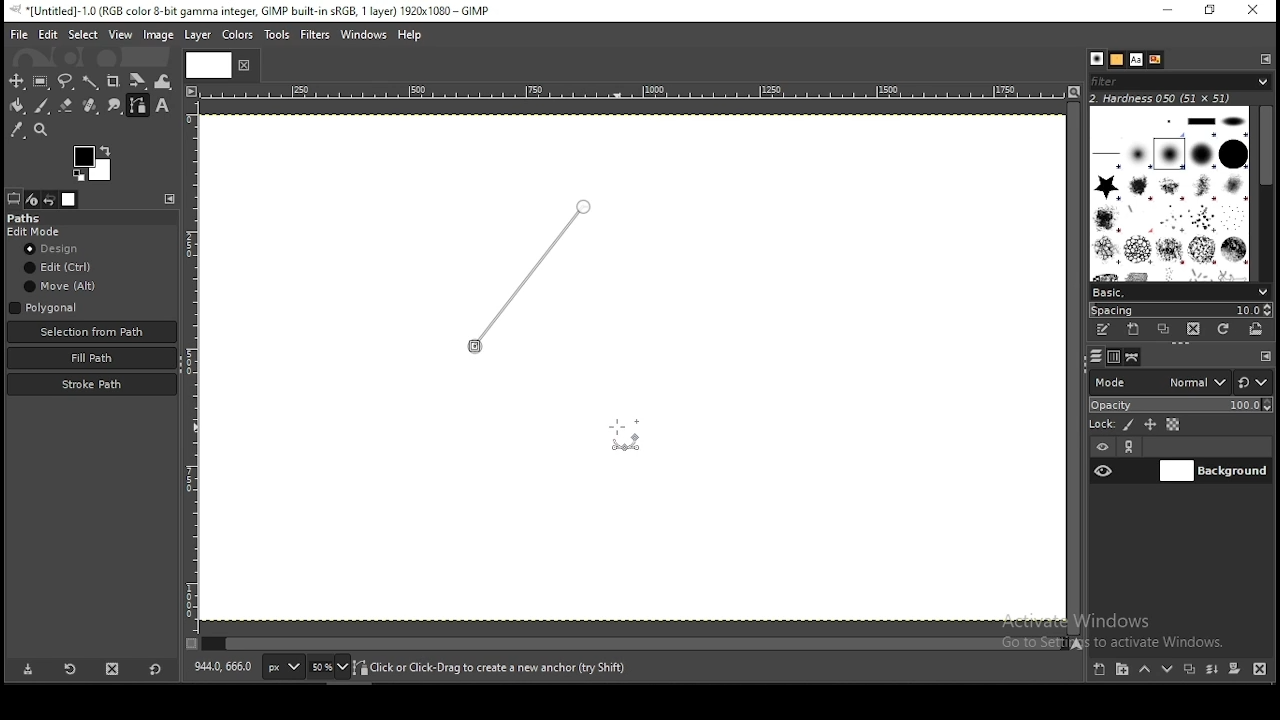 The image size is (1280, 720). I want to click on help, so click(412, 33).